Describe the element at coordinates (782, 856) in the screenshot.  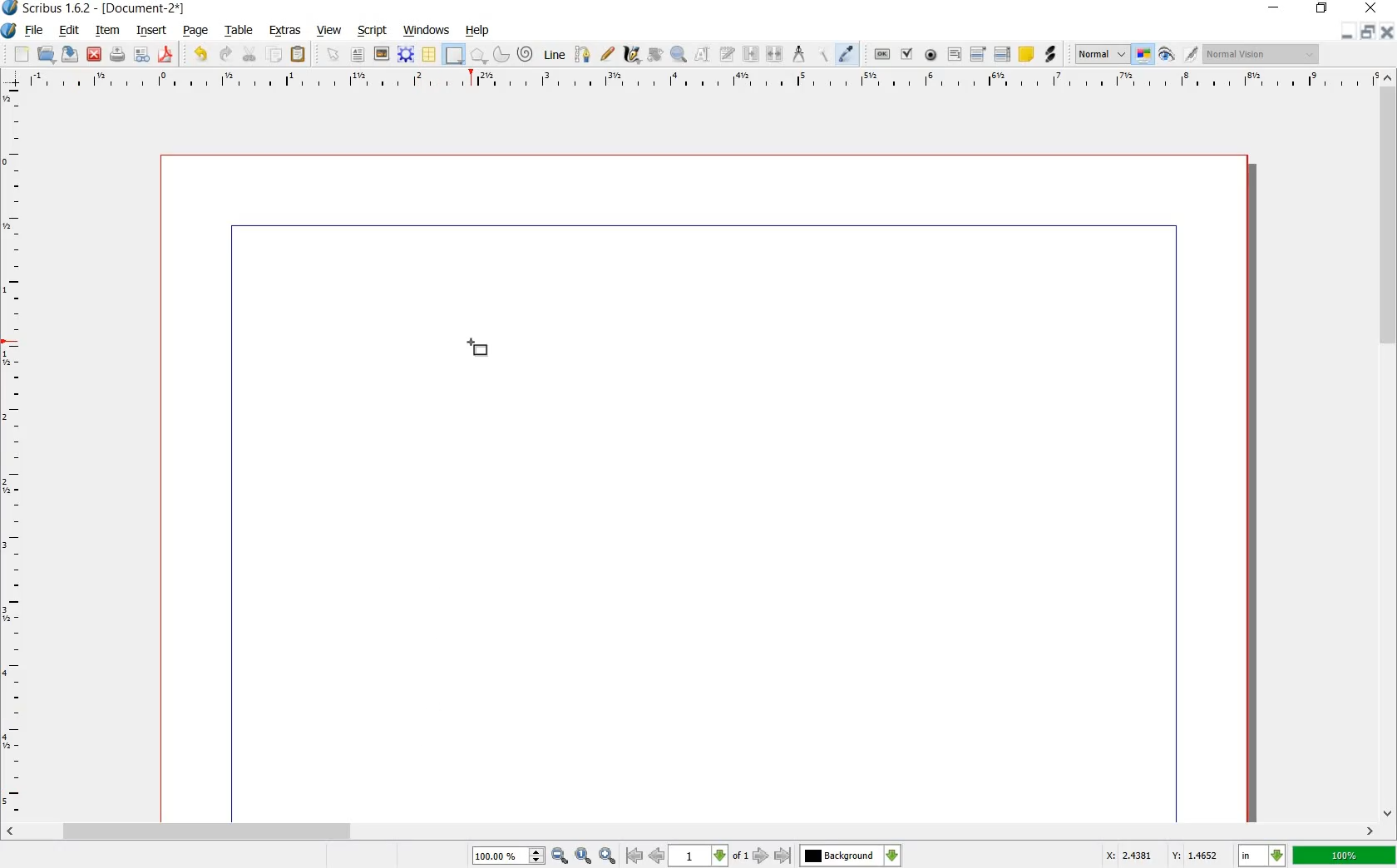
I see `go to last page` at that location.